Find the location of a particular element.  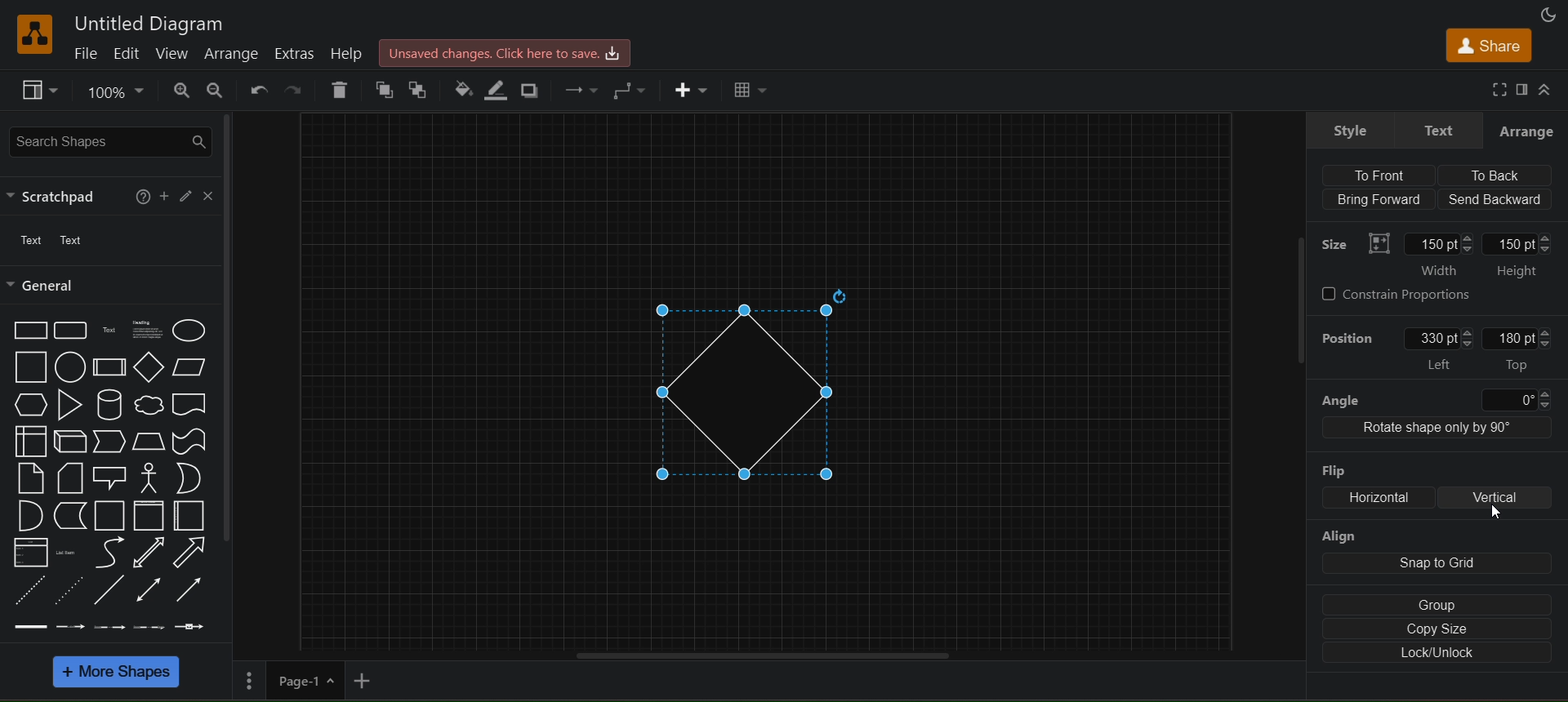

and is located at coordinates (26, 515).